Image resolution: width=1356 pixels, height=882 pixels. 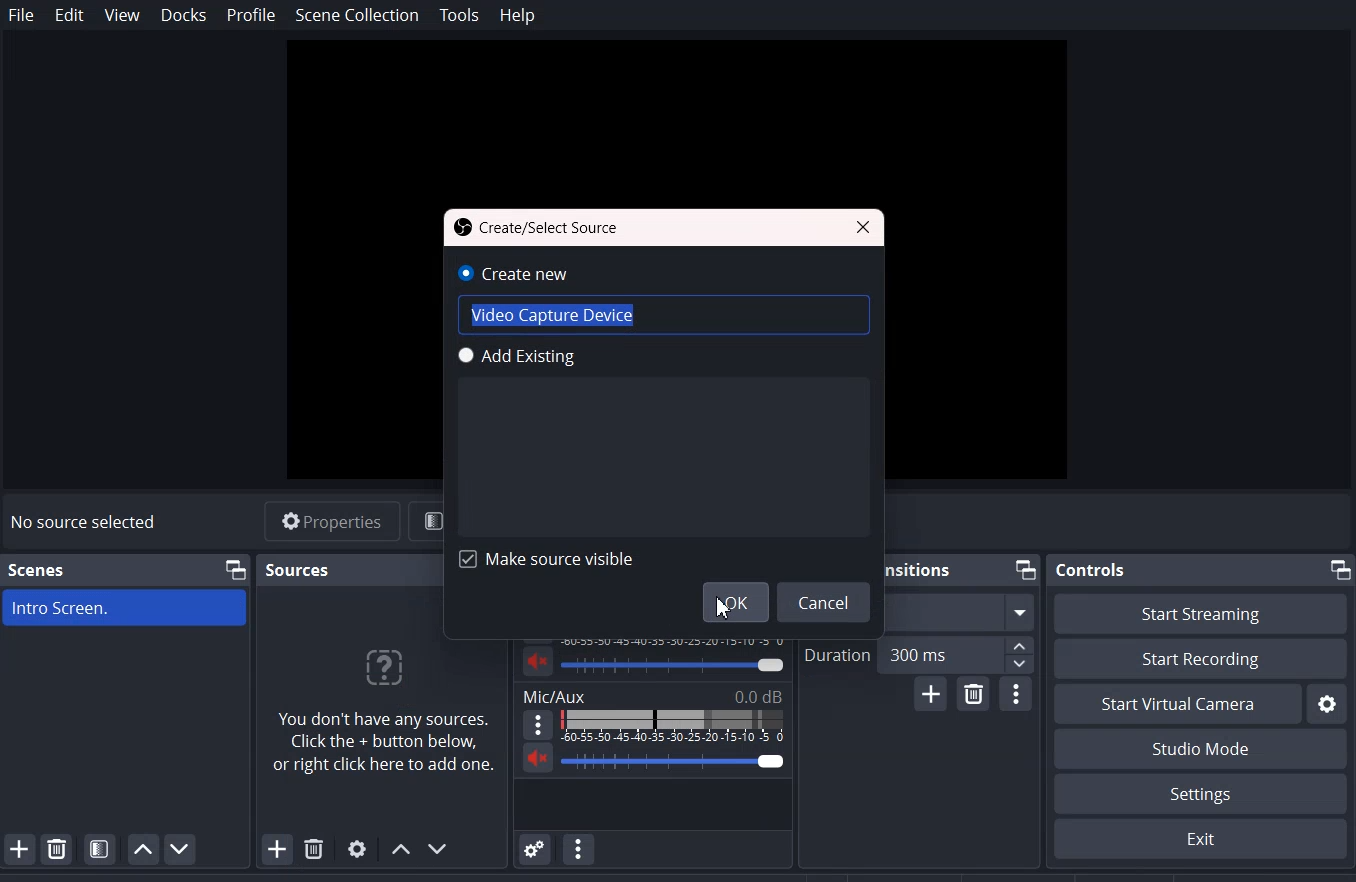 What do you see at coordinates (549, 559) in the screenshot?
I see `Make Source visible` at bounding box center [549, 559].